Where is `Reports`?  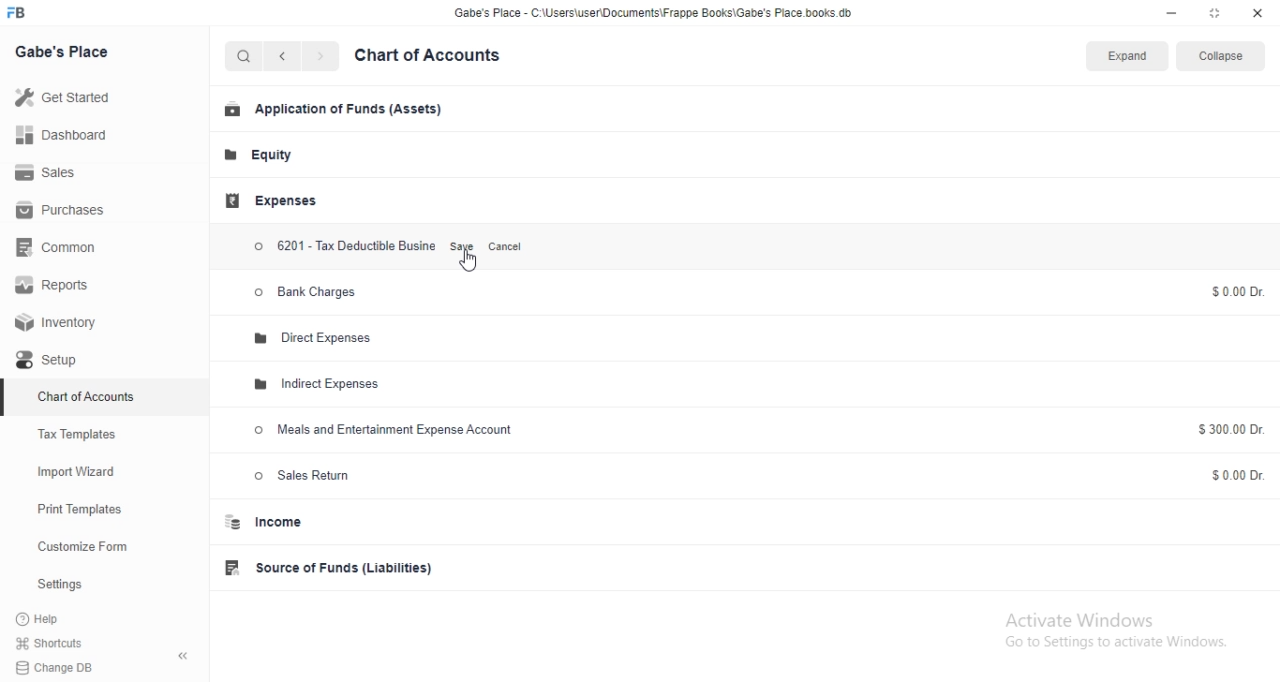
Reports is located at coordinates (57, 286).